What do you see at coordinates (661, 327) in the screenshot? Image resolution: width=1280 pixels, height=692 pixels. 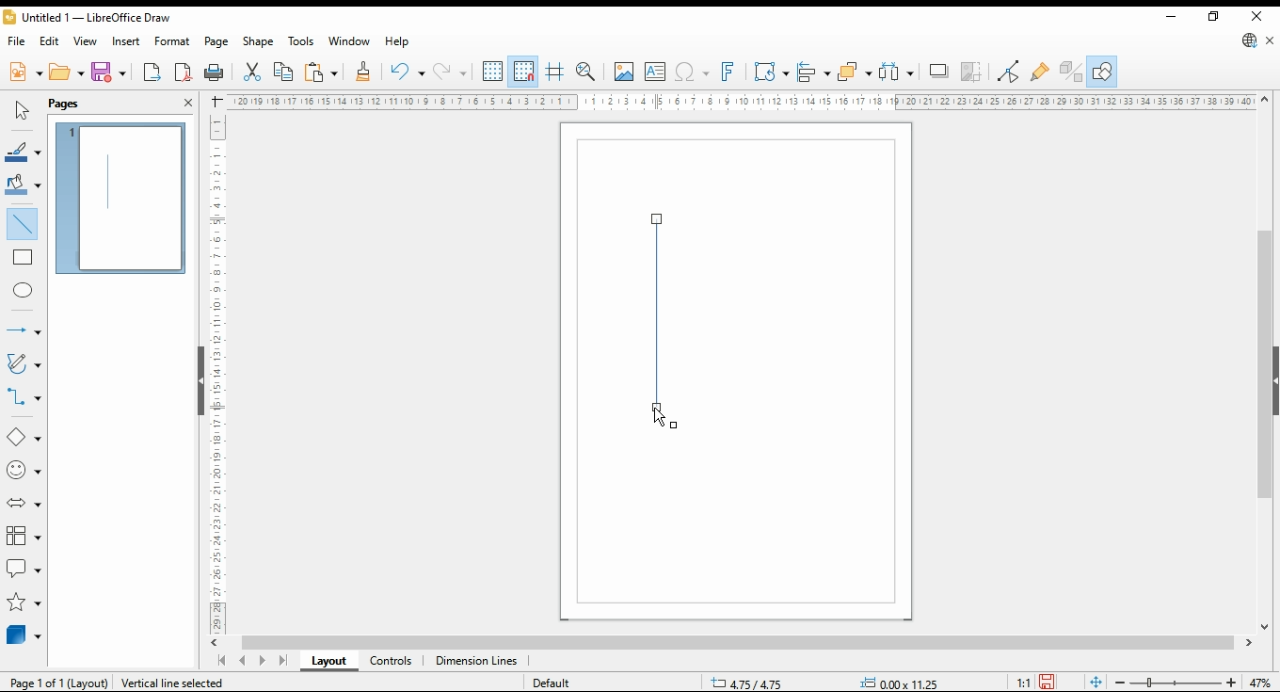 I see `line shape` at bounding box center [661, 327].